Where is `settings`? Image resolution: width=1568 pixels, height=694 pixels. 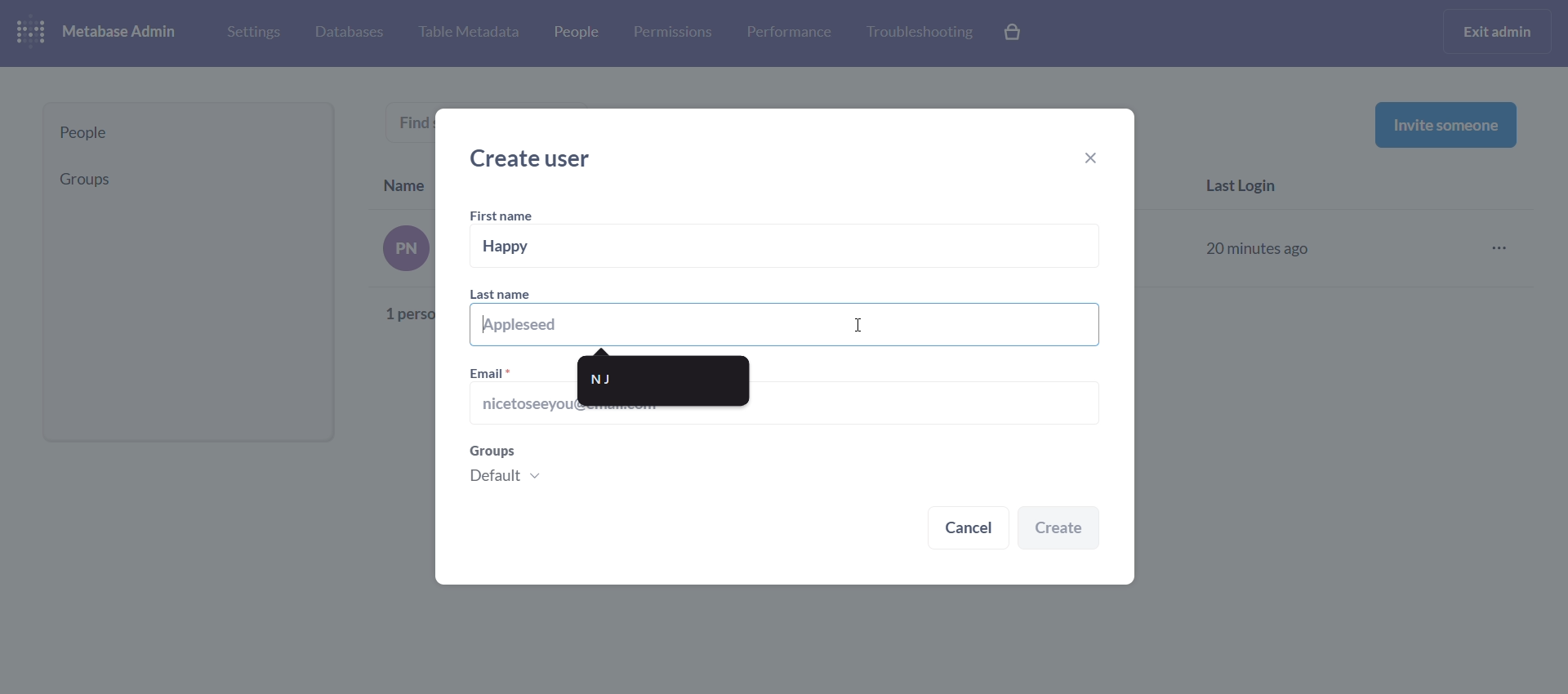 settings is located at coordinates (252, 31).